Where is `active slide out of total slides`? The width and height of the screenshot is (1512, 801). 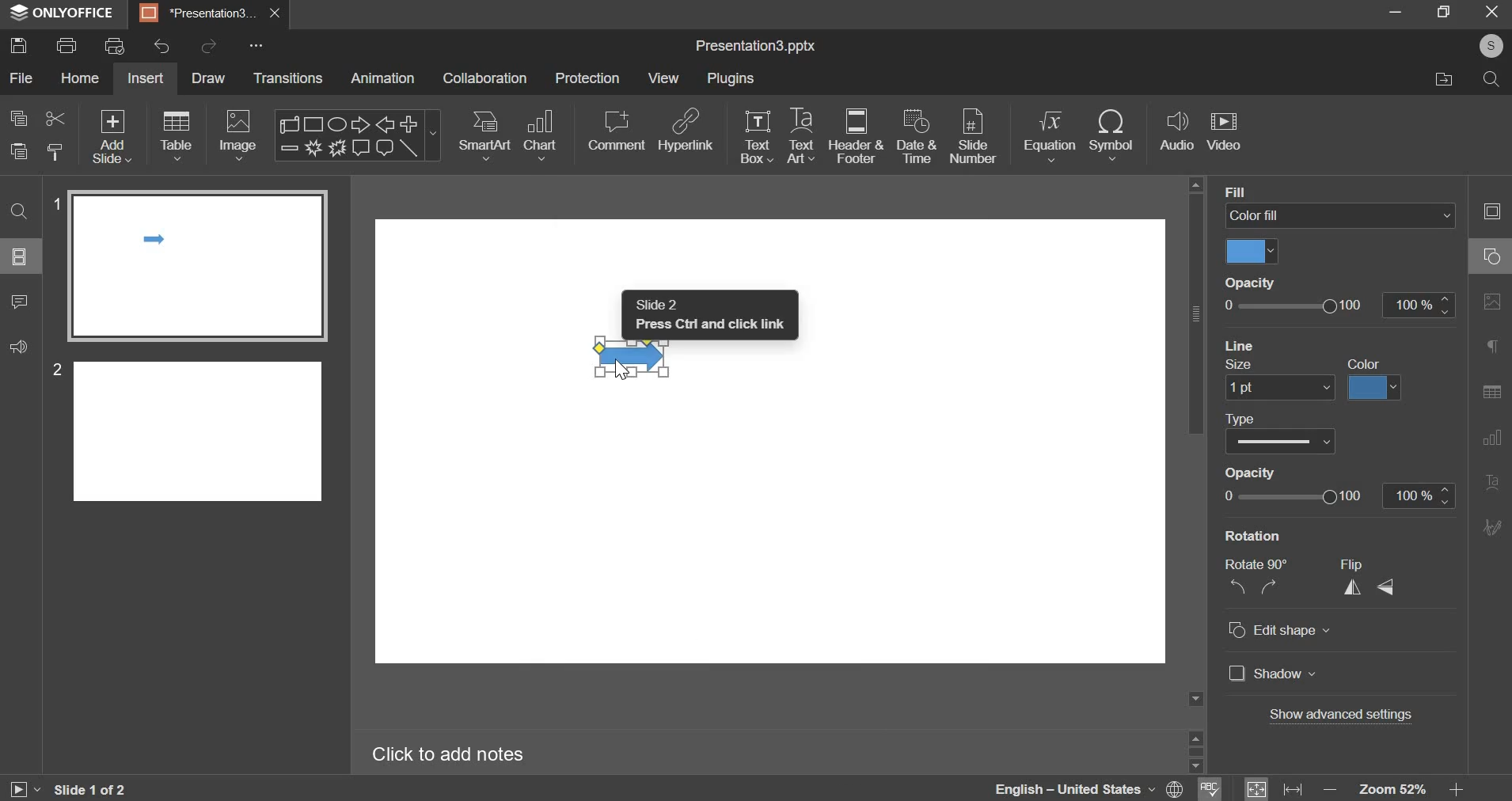 active slide out of total slides is located at coordinates (90, 789).